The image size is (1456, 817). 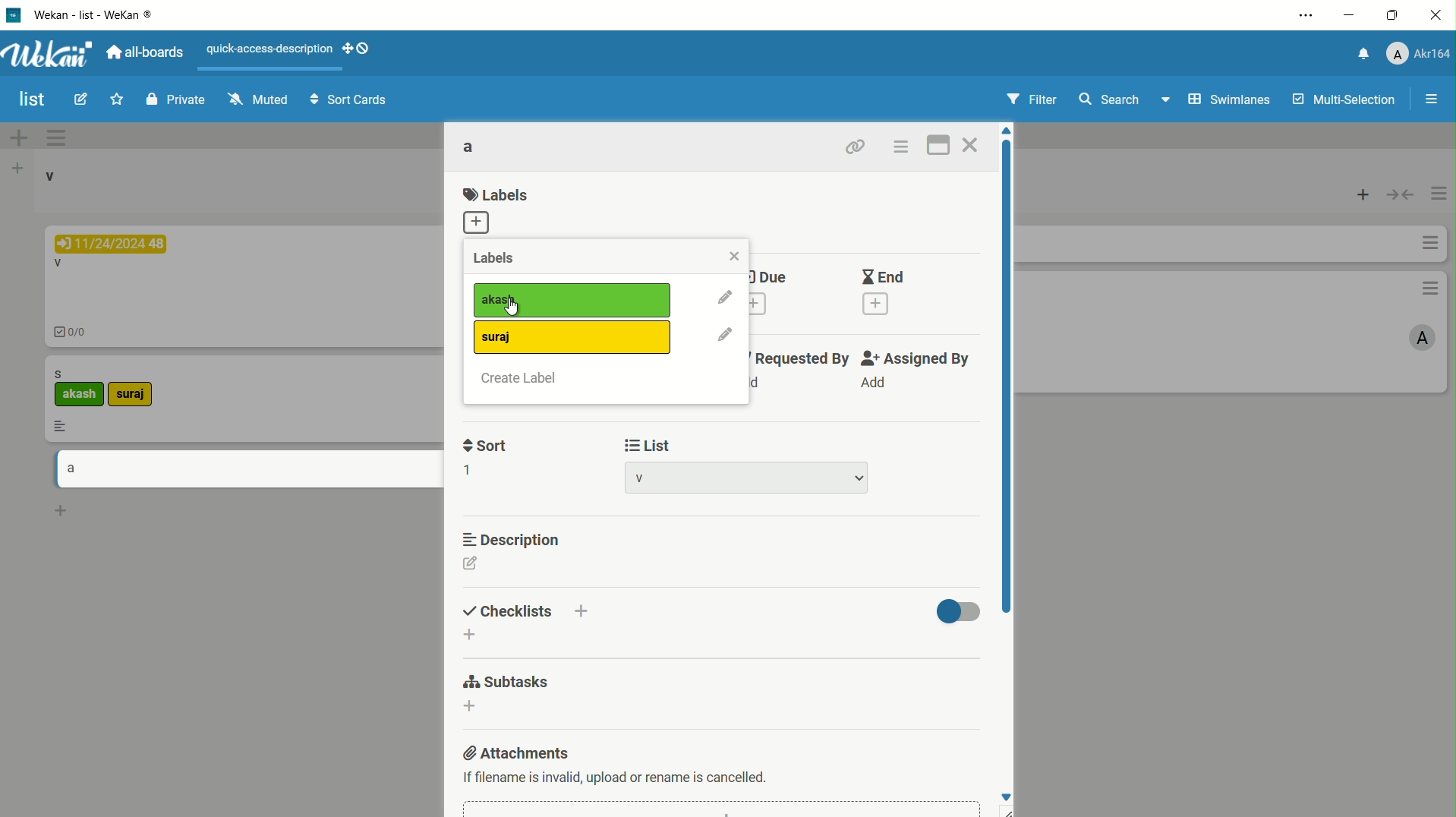 What do you see at coordinates (496, 336) in the screenshot?
I see `label2` at bounding box center [496, 336].